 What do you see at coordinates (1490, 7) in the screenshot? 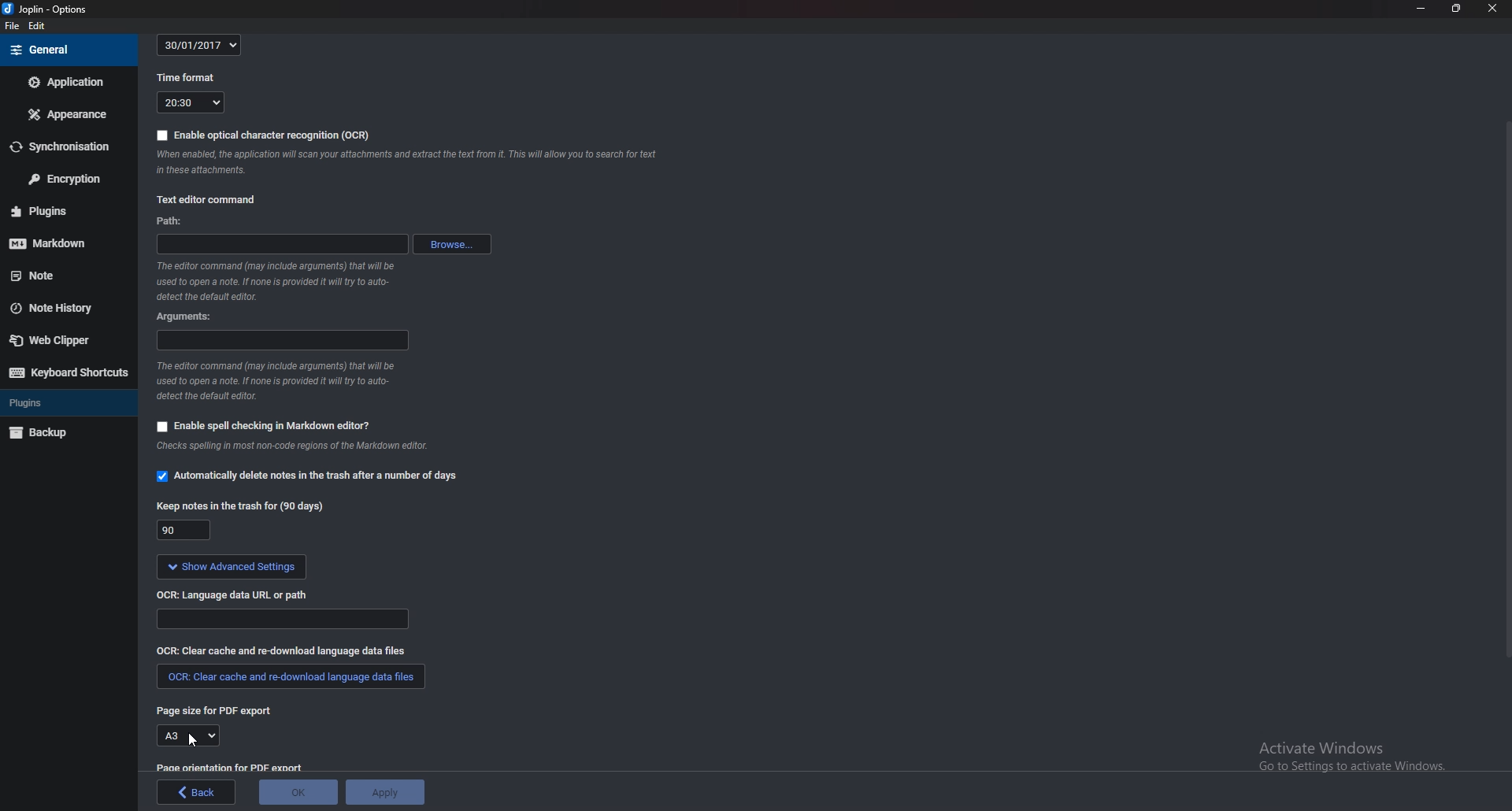
I see `close` at bounding box center [1490, 7].